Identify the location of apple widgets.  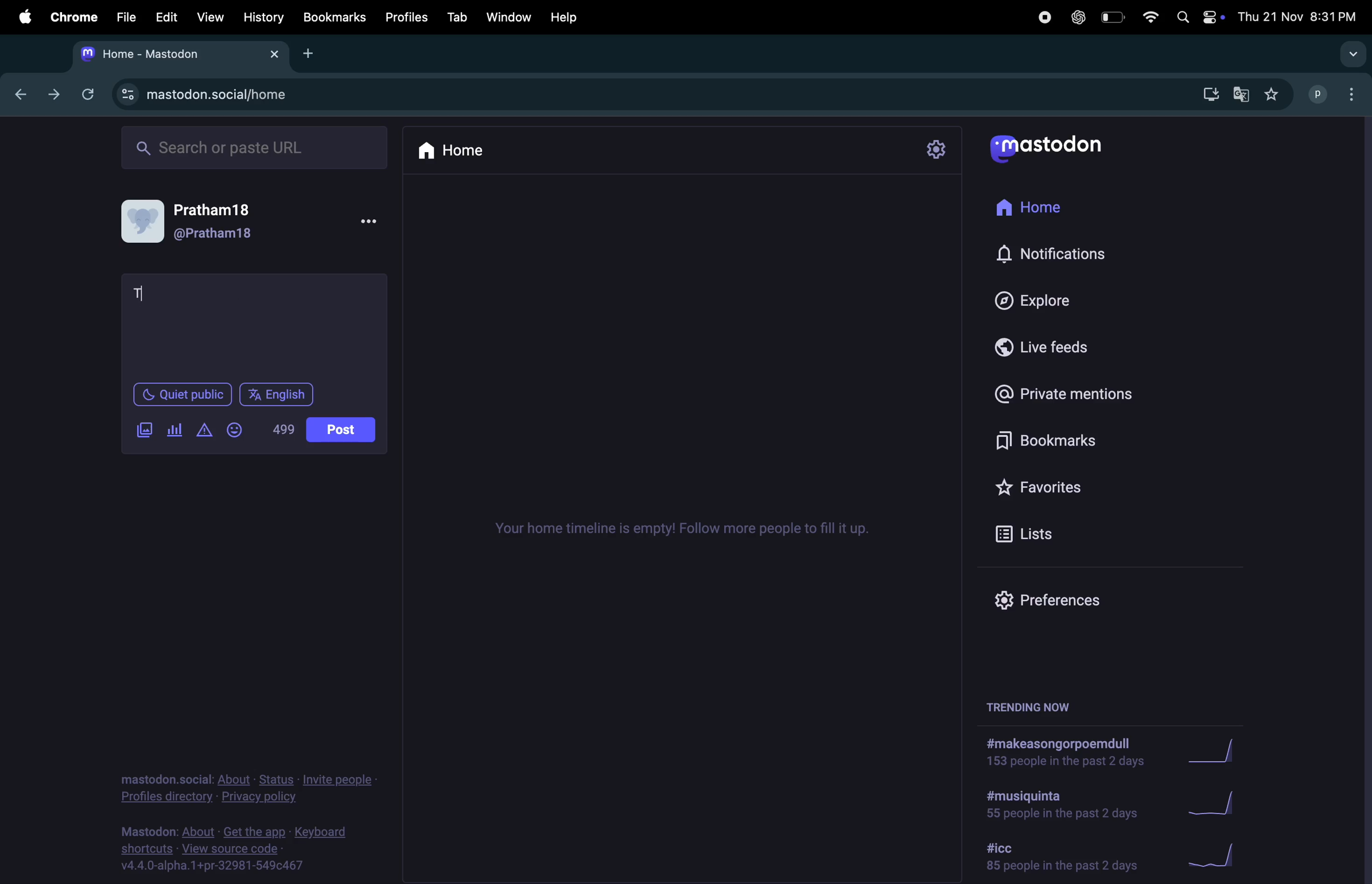
(1198, 17).